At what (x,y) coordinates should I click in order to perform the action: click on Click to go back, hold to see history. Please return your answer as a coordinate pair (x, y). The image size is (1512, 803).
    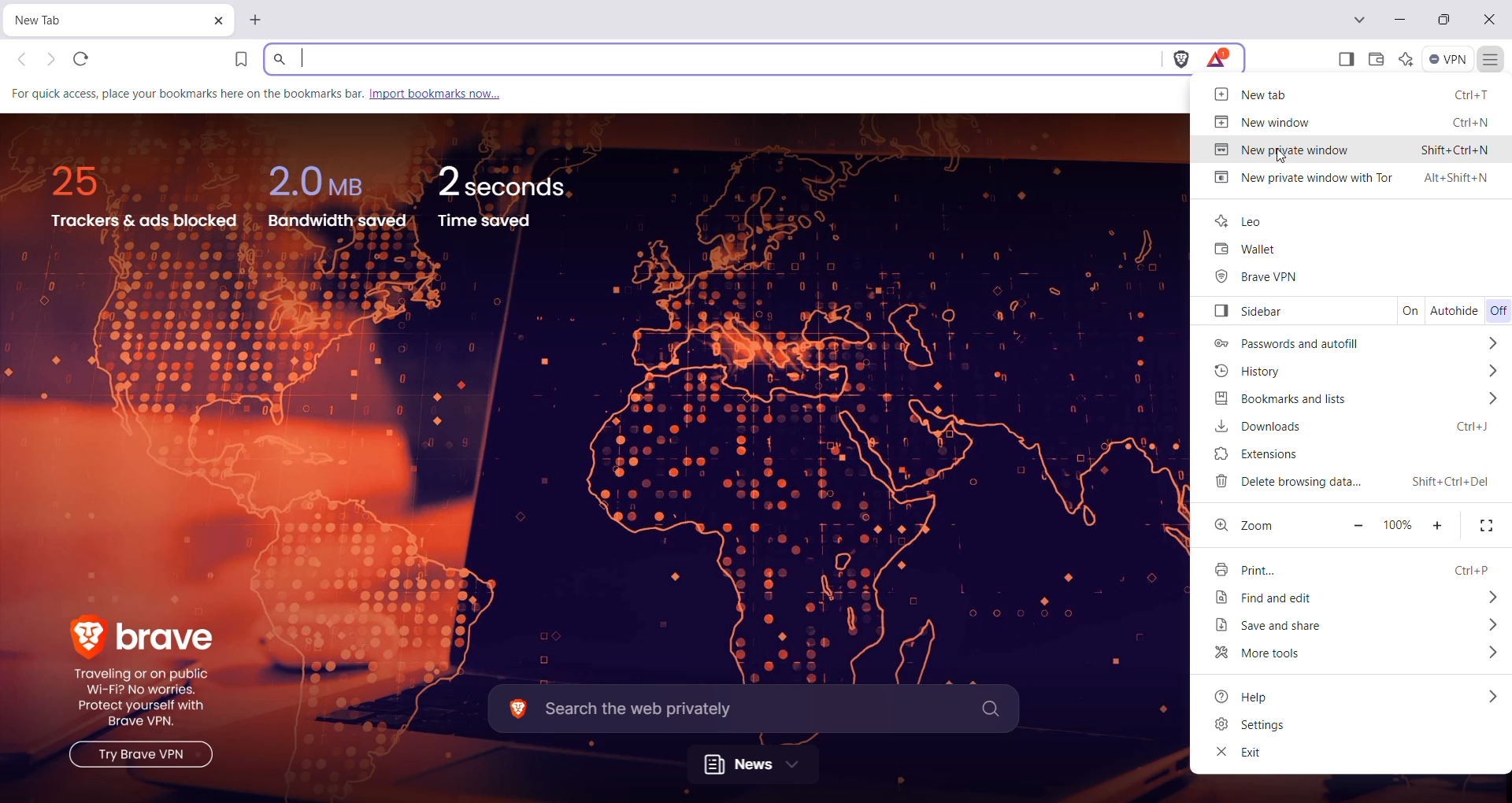
    Looking at the image, I should click on (20, 59).